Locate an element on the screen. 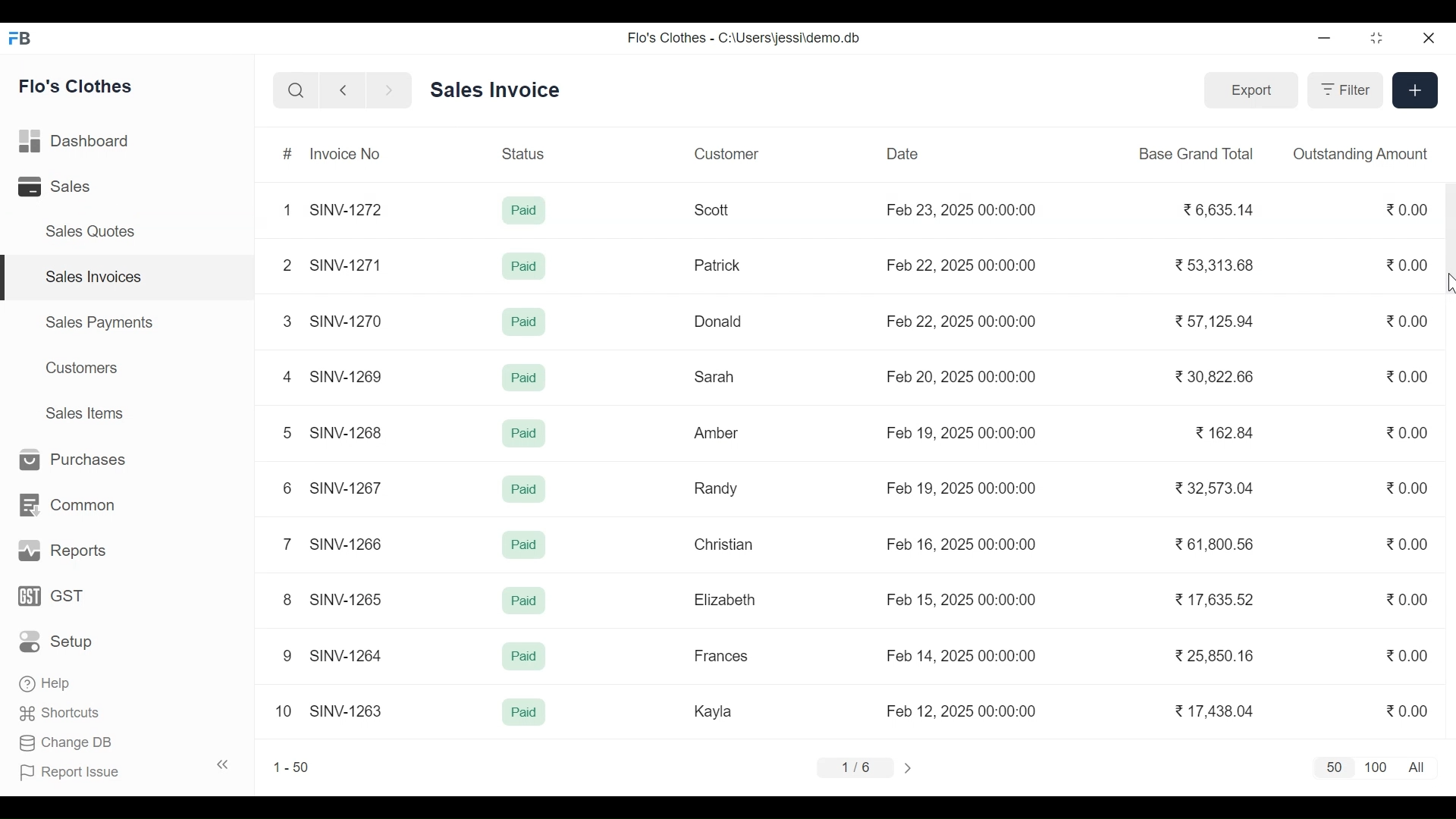 The width and height of the screenshot is (1456, 819). Flo's Clothes - C:\Users\jessi\demo.db is located at coordinates (746, 37).